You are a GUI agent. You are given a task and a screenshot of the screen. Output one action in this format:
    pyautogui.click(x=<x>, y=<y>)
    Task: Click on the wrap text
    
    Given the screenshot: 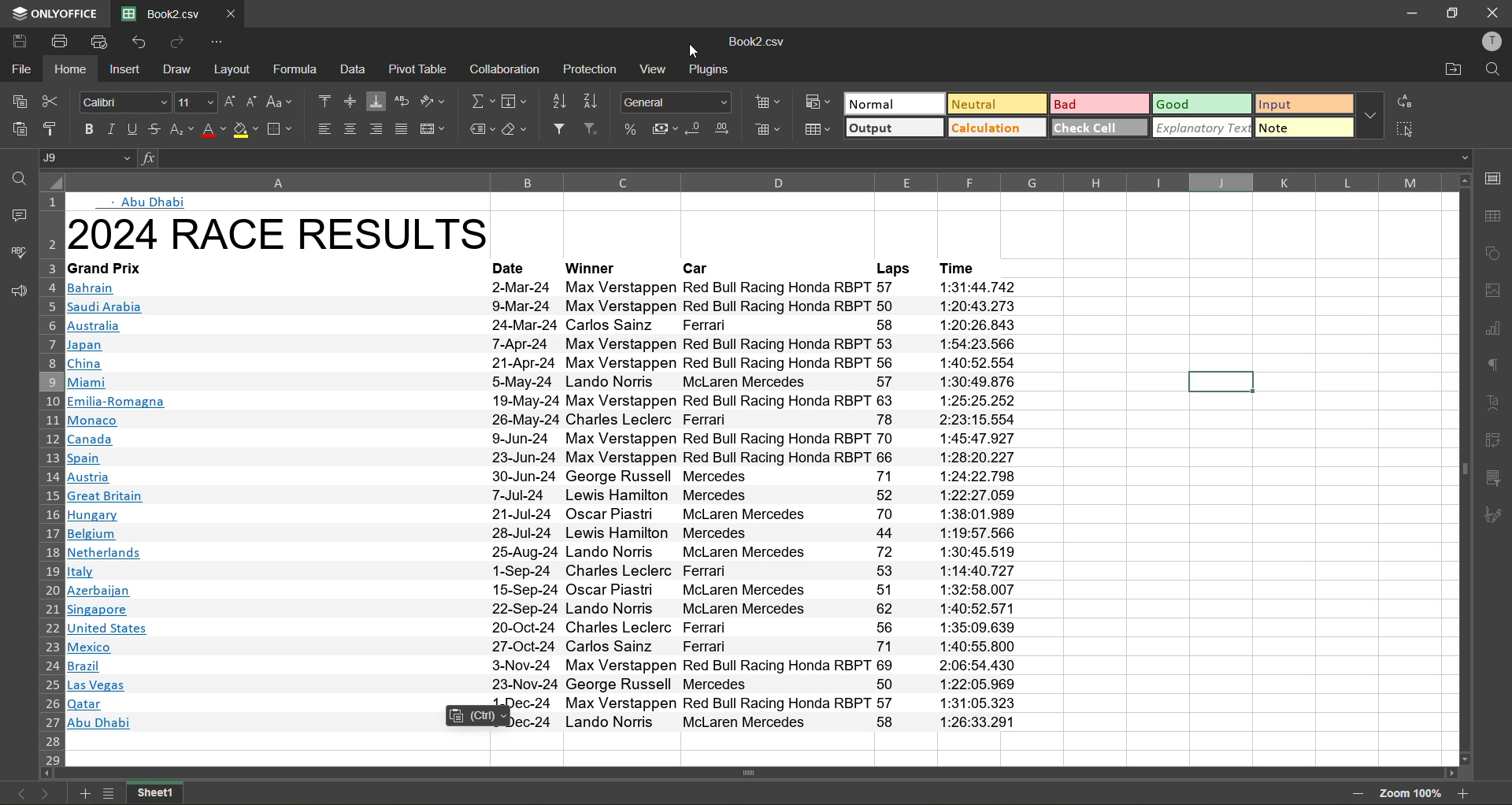 What is the action you would take?
    pyautogui.click(x=402, y=102)
    